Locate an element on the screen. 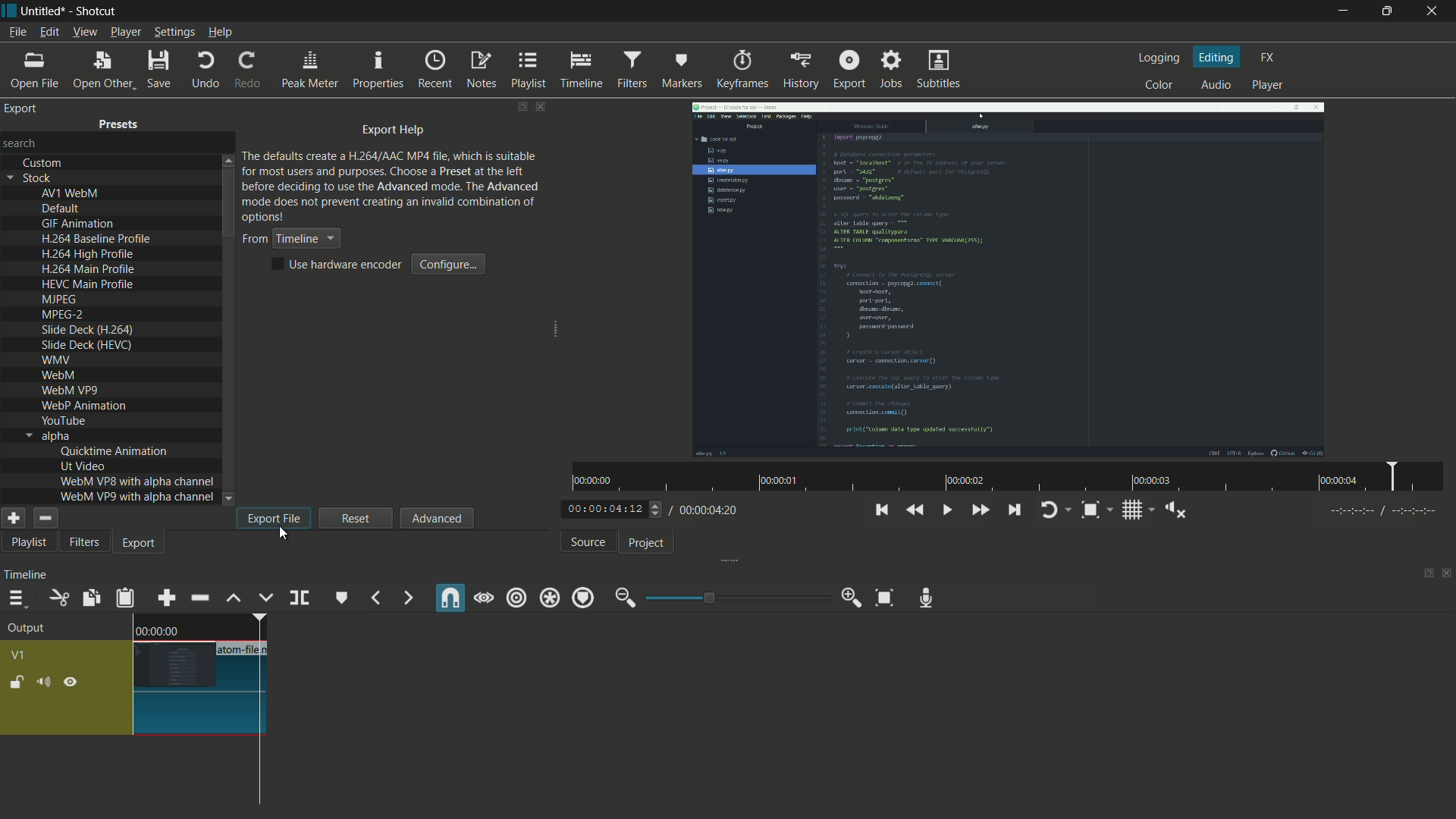  v1 is located at coordinates (17, 654).